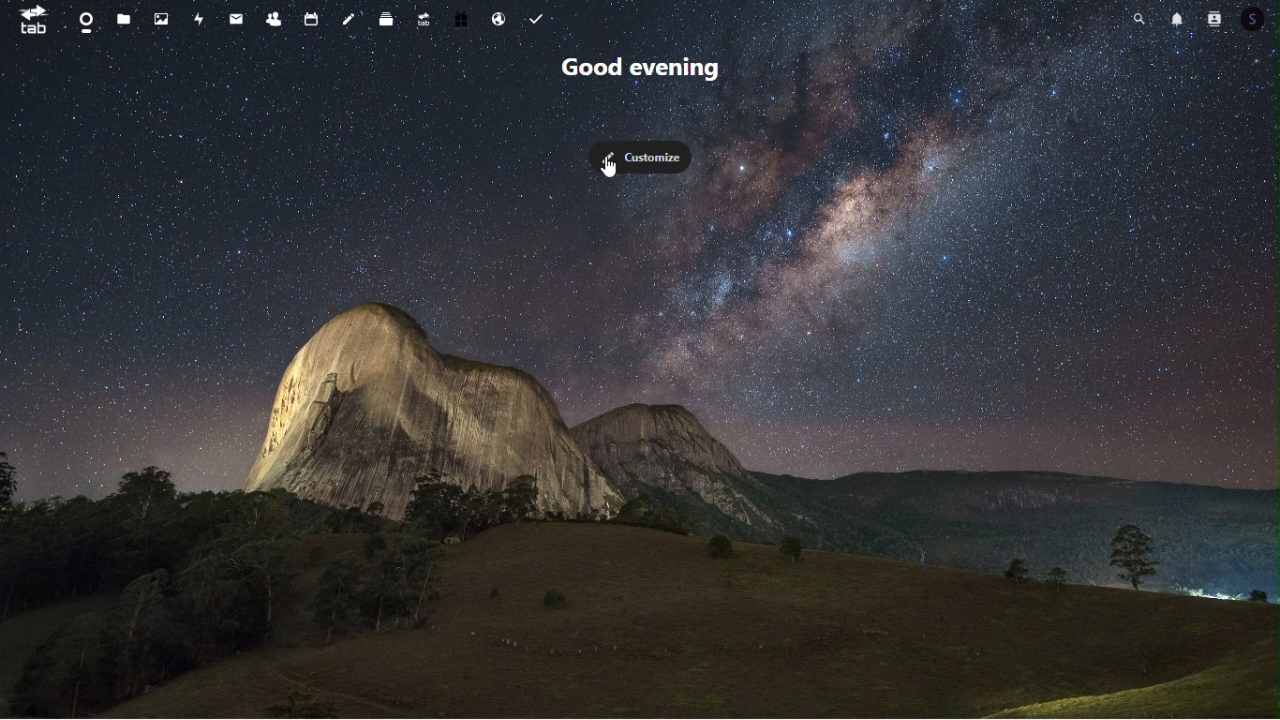 This screenshot has width=1280, height=720. What do you see at coordinates (350, 19) in the screenshot?
I see `Notes ` at bounding box center [350, 19].